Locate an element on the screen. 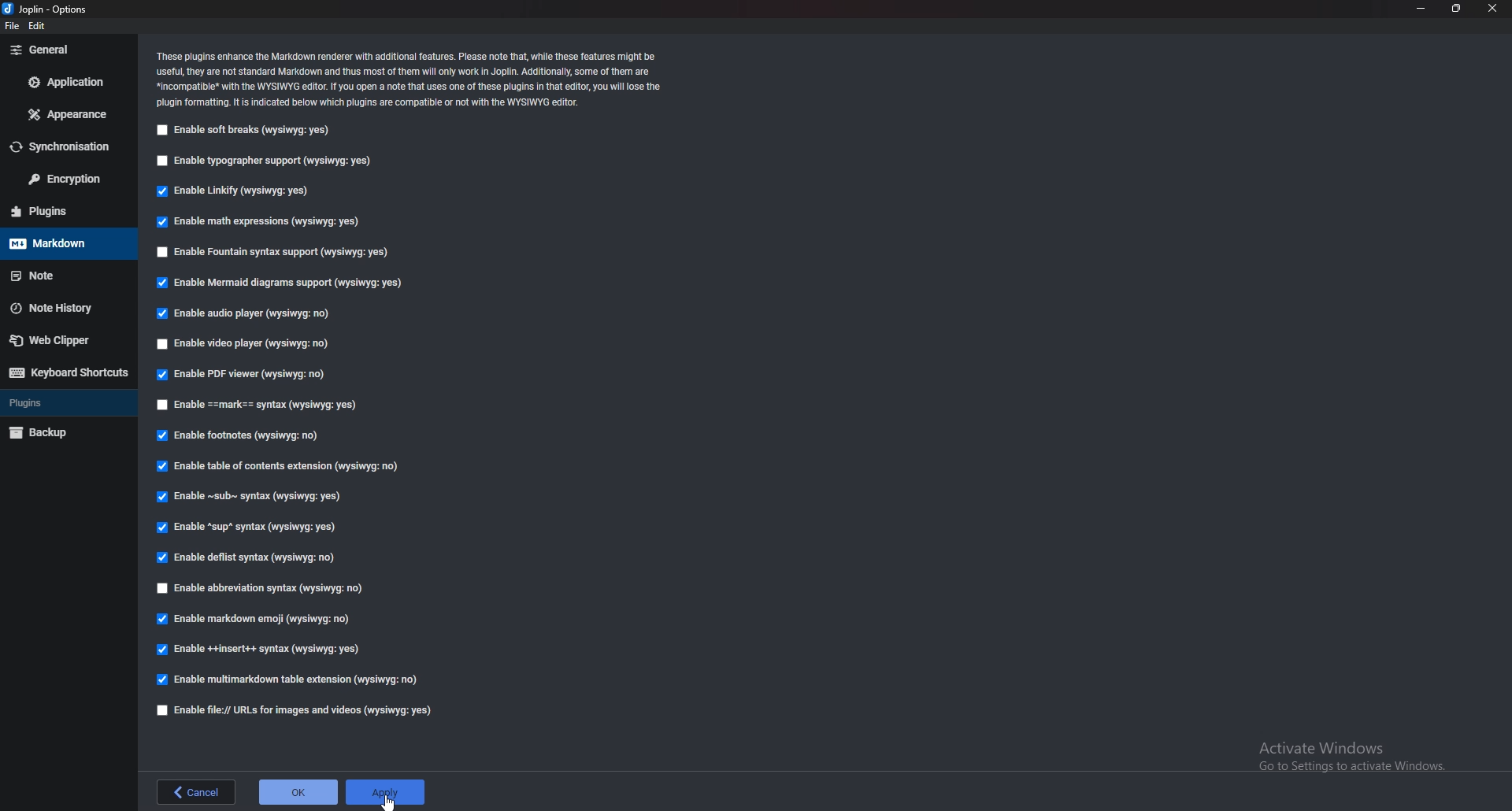 The image size is (1512, 811). enable insert syntax (wysiqyg:yes) is located at coordinates (261, 650).